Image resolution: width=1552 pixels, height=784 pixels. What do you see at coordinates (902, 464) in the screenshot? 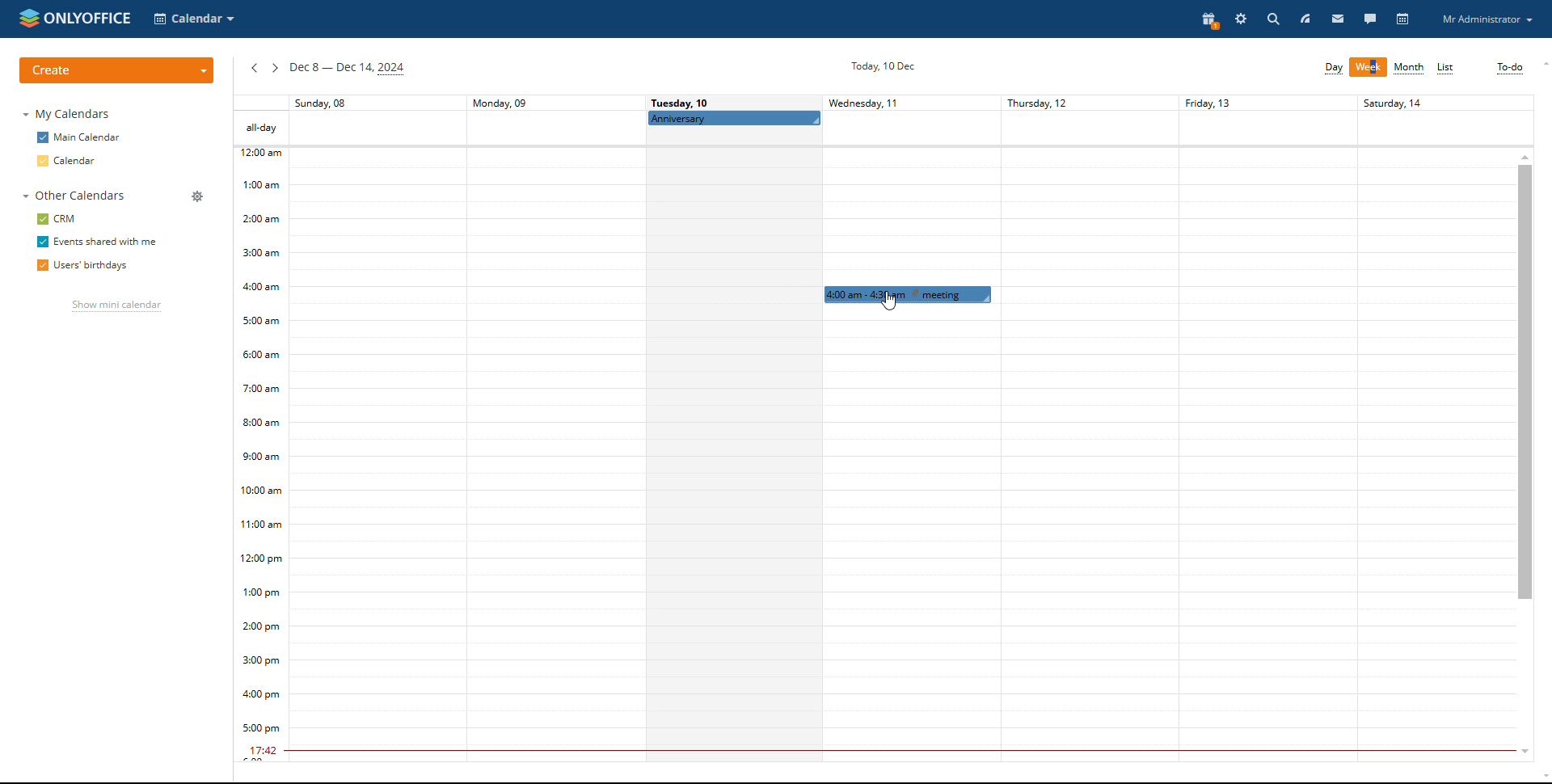
I see `30 min span of the day` at bounding box center [902, 464].